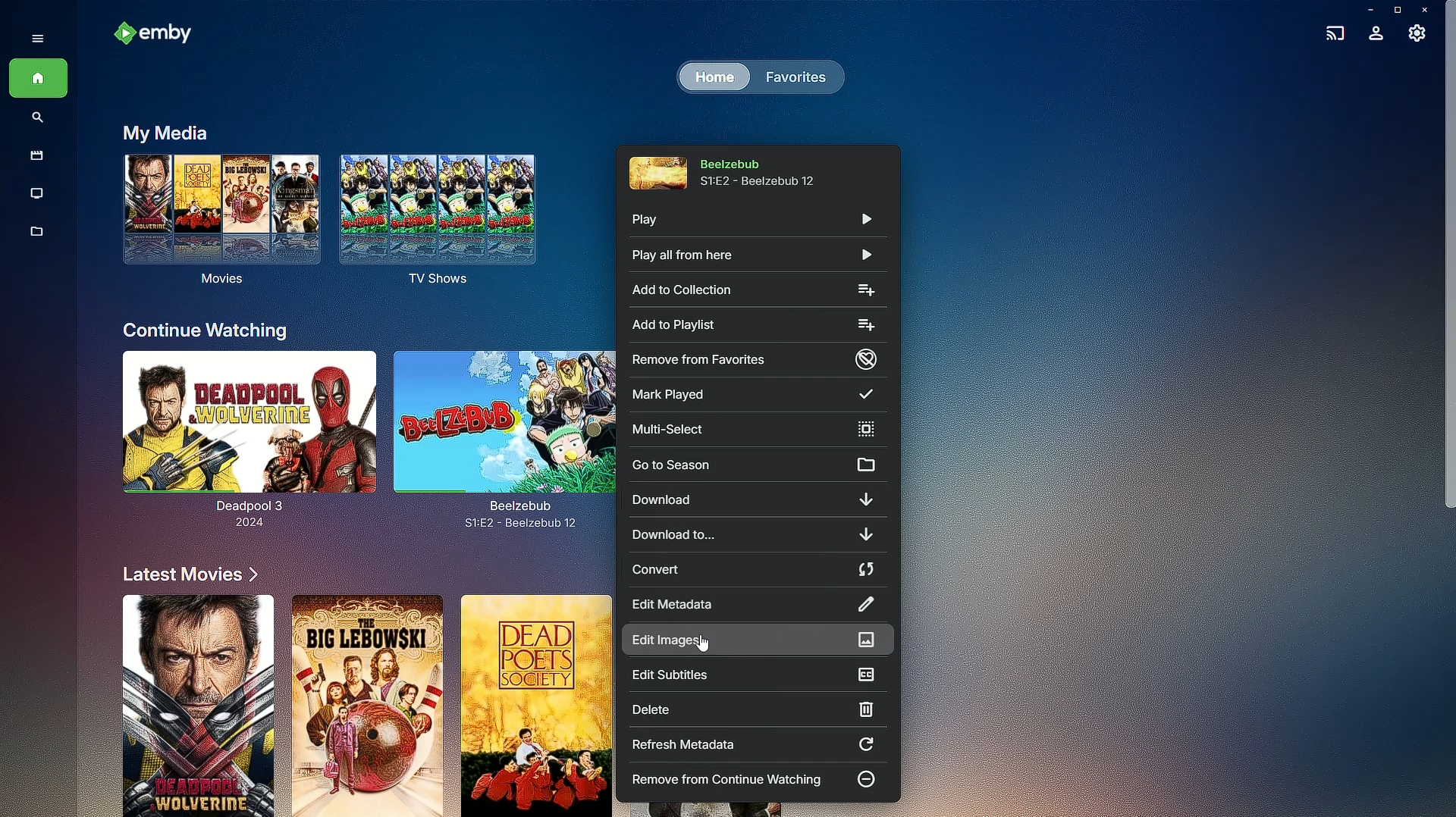  Describe the element at coordinates (33, 37) in the screenshot. I see `Show menu` at that location.